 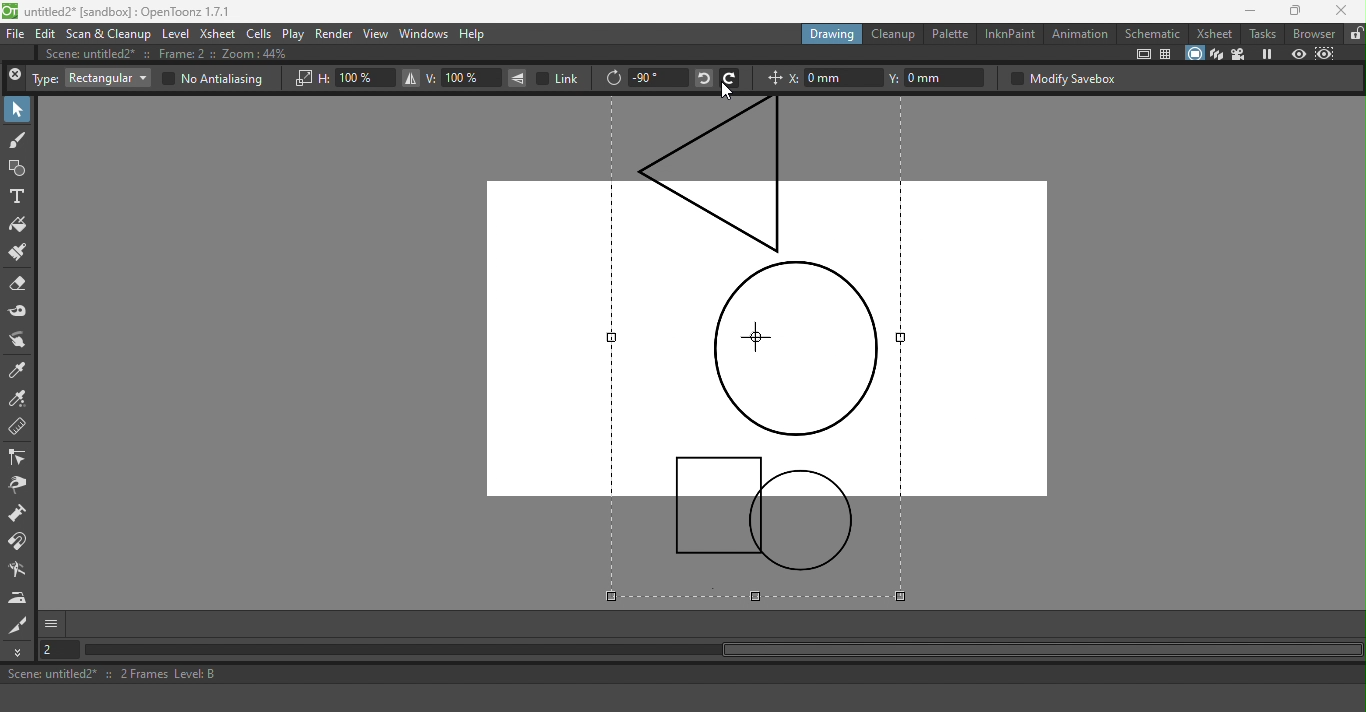 I want to click on Cells, so click(x=260, y=33).